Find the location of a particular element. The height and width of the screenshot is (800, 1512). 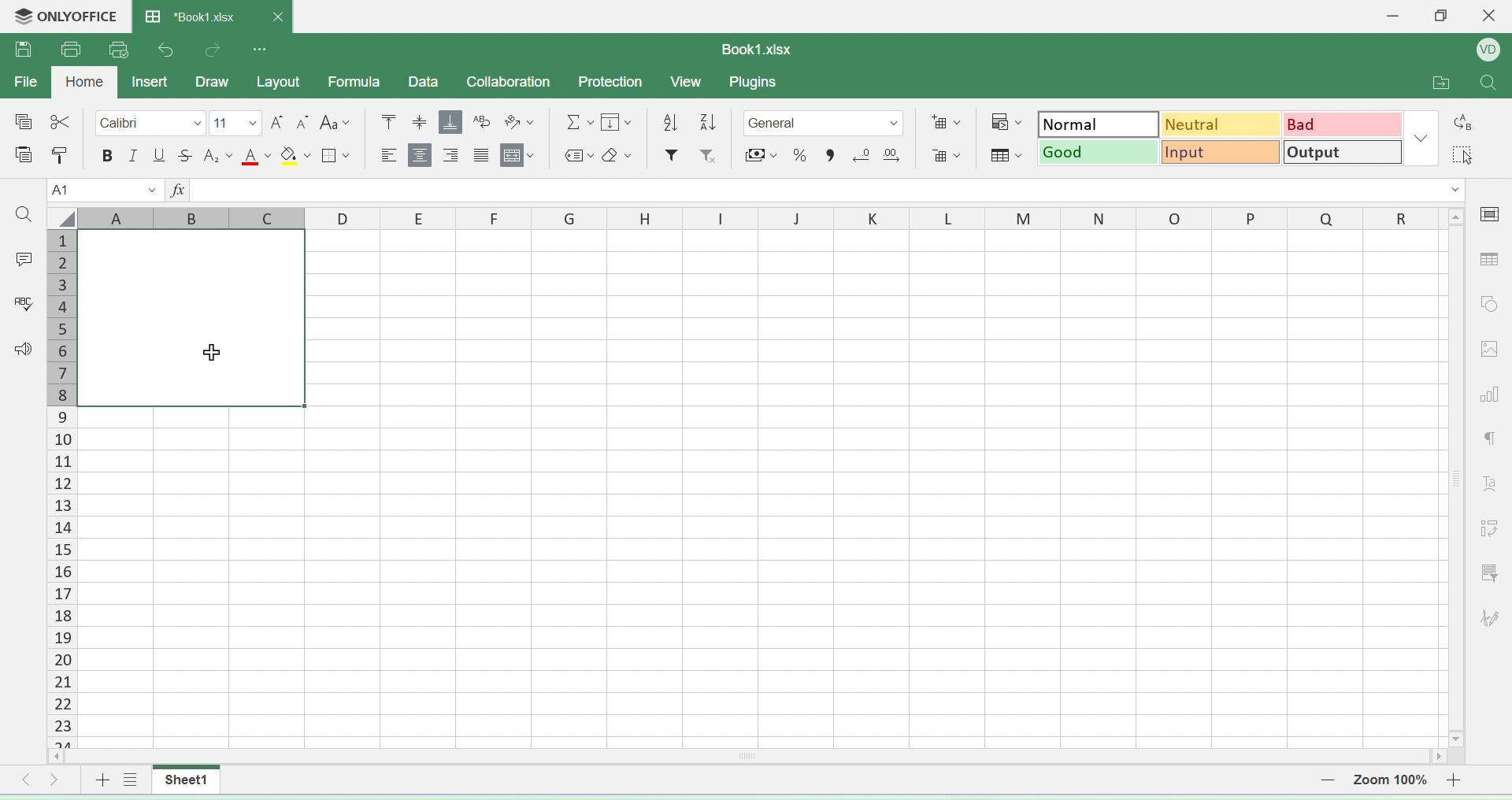

zoom out is located at coordinates (1325, 779).